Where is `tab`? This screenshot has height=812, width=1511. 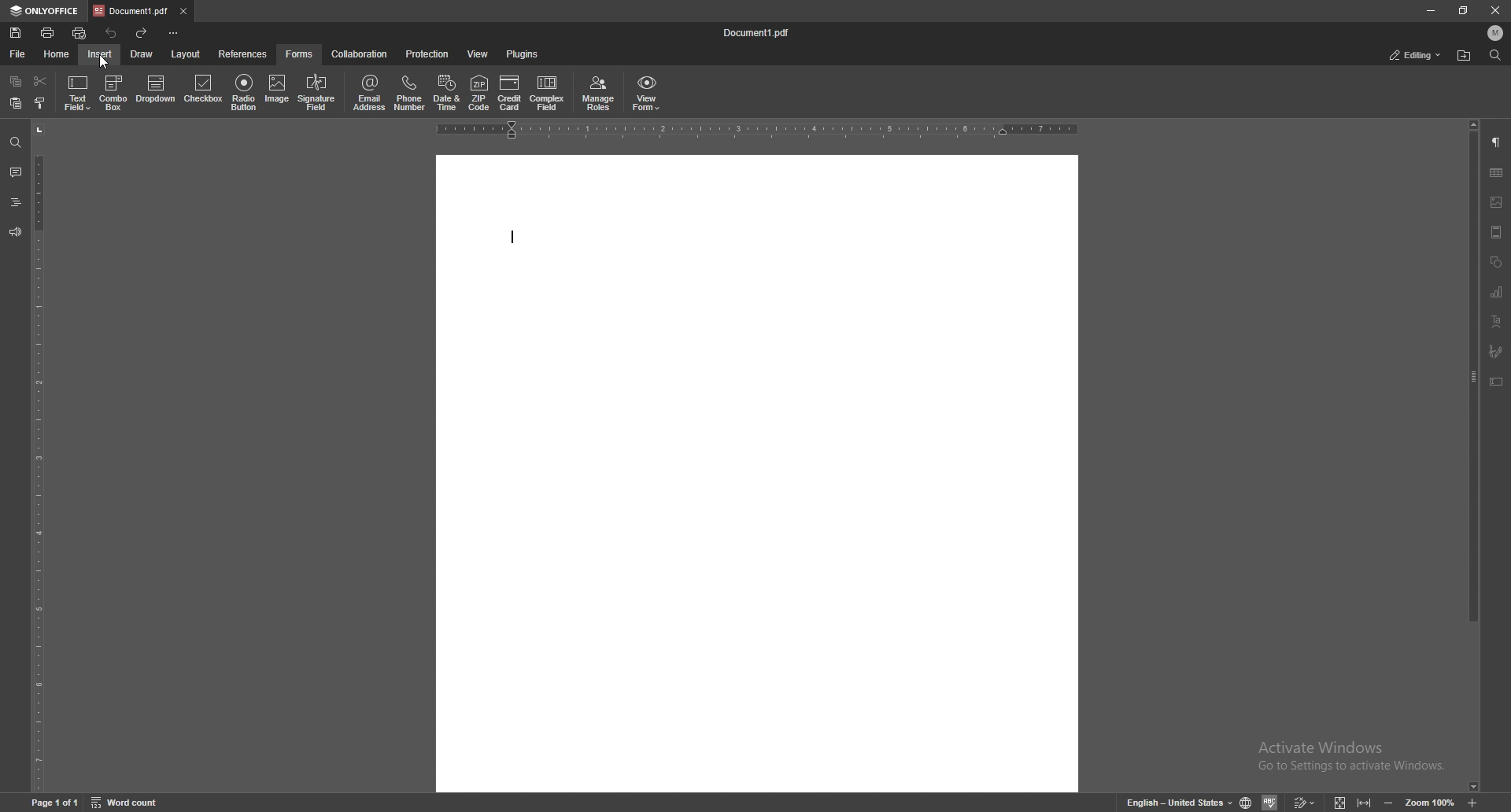 tab is located at coordinates (131, 11).